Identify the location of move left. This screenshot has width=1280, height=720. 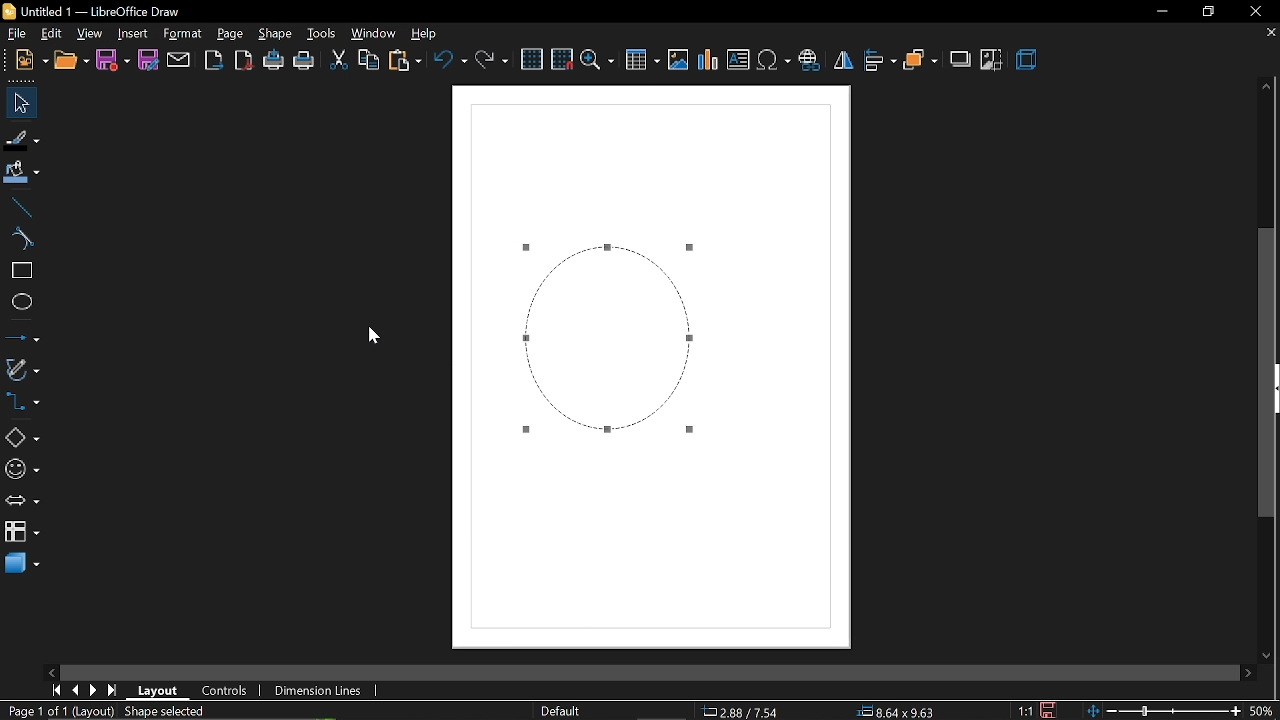
(51, 673).